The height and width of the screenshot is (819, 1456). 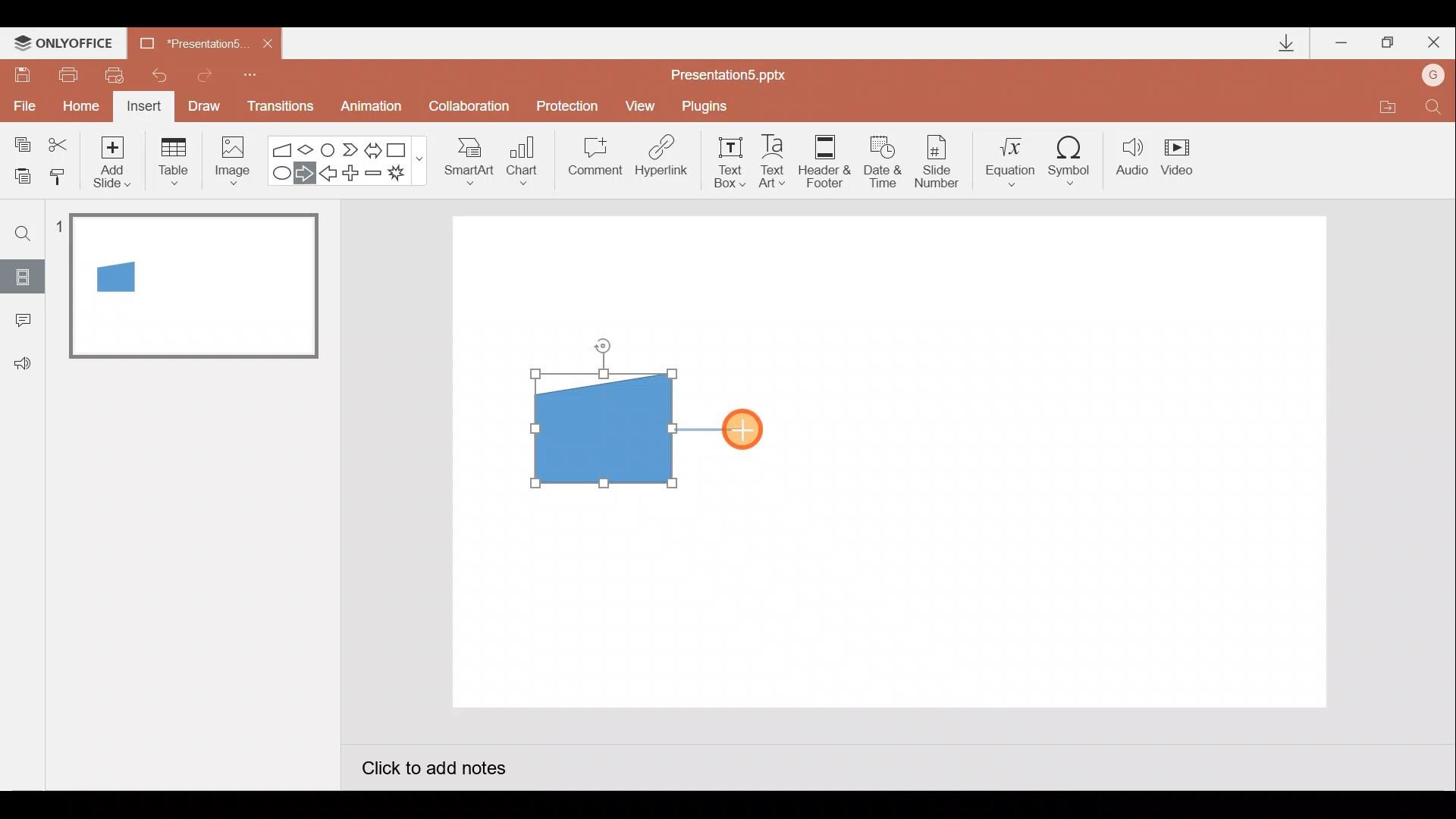 I want to click on Print file, so click(x=65, y=74).